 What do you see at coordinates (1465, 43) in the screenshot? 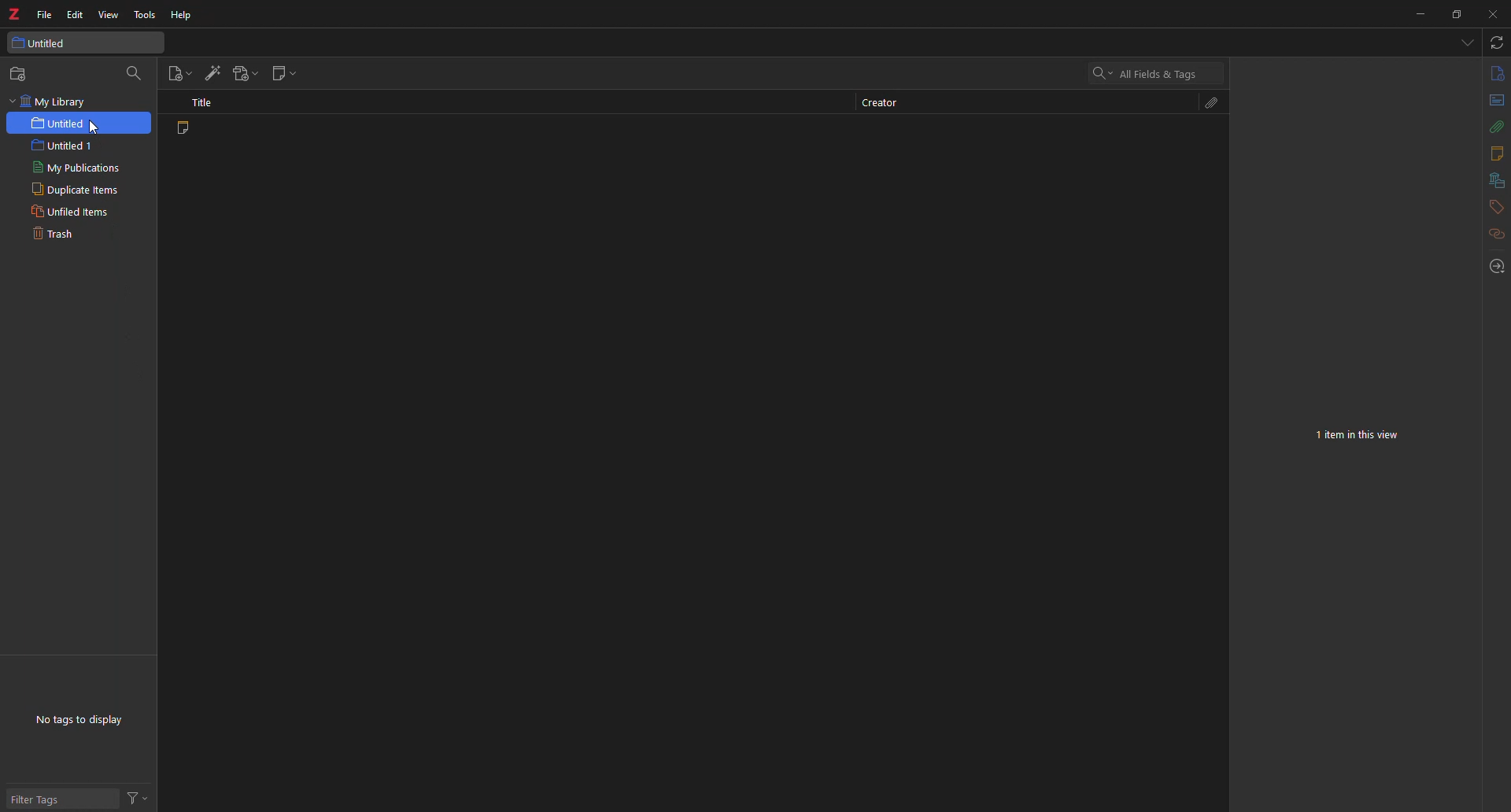
I see `tabs` at bounding box center [1465, 43].